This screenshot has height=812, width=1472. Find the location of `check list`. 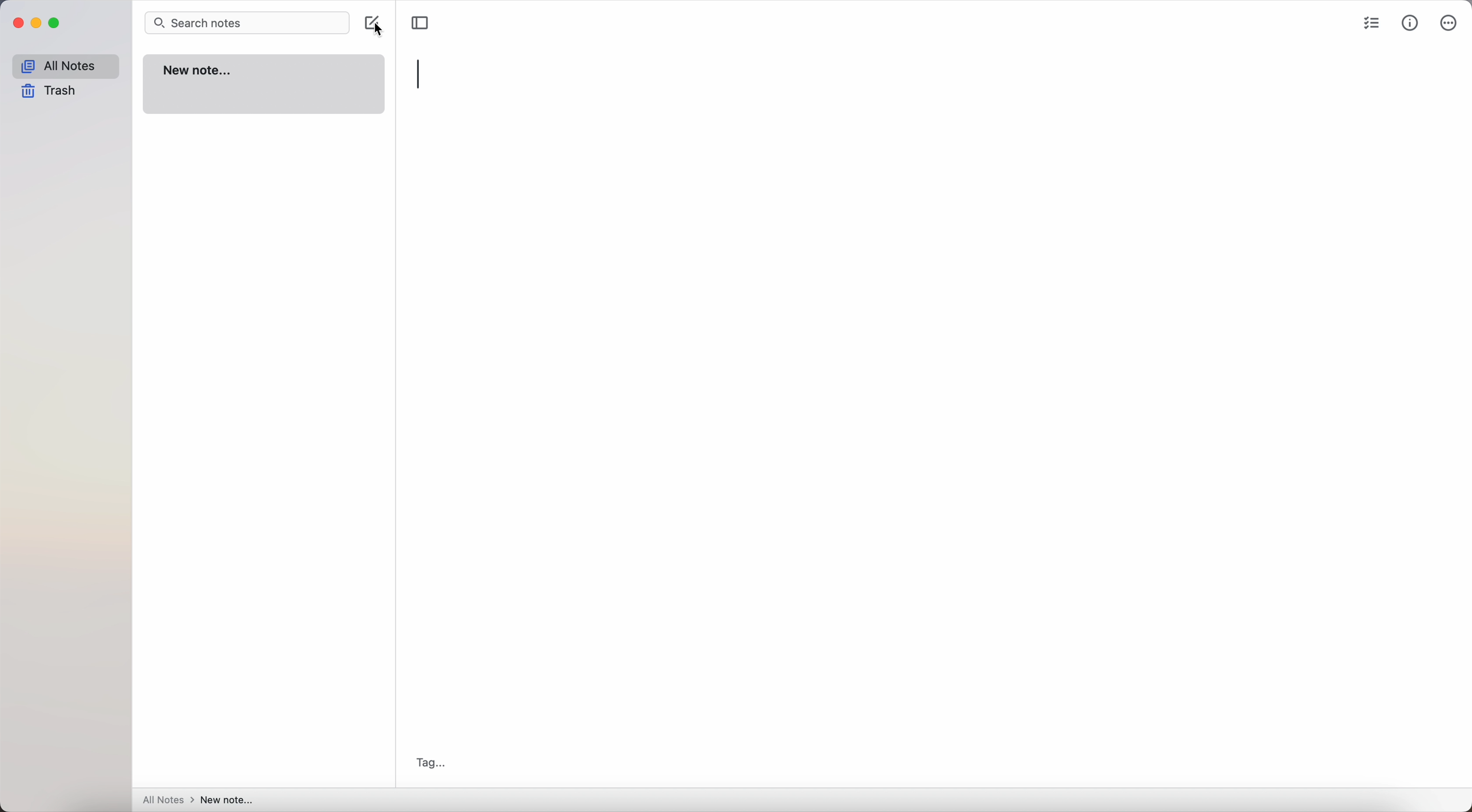

check list is located at coordinates (1369, 22).